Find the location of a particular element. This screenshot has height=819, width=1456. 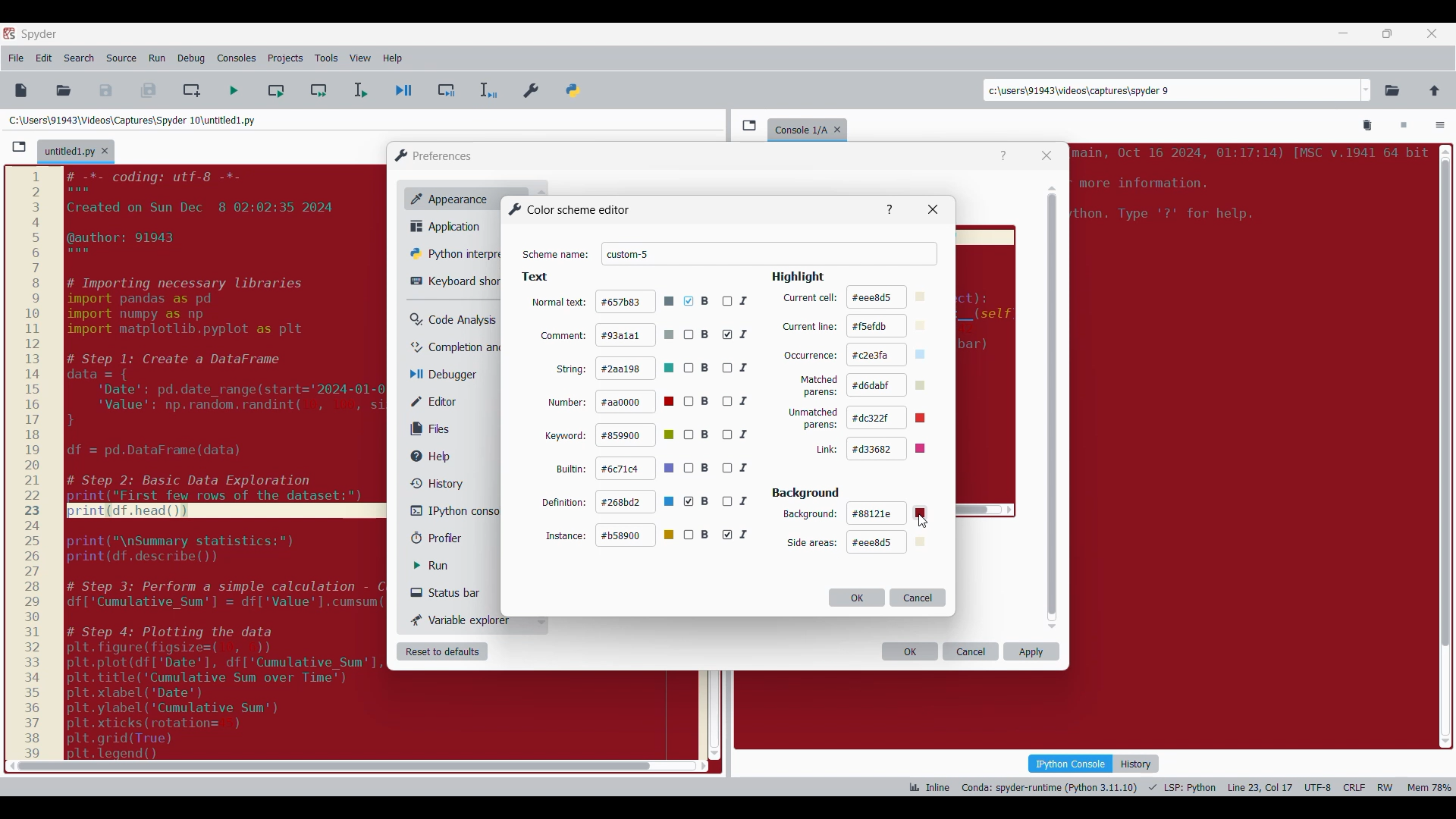

Remove all variables from namespace is located at coordinates (1368, 126).